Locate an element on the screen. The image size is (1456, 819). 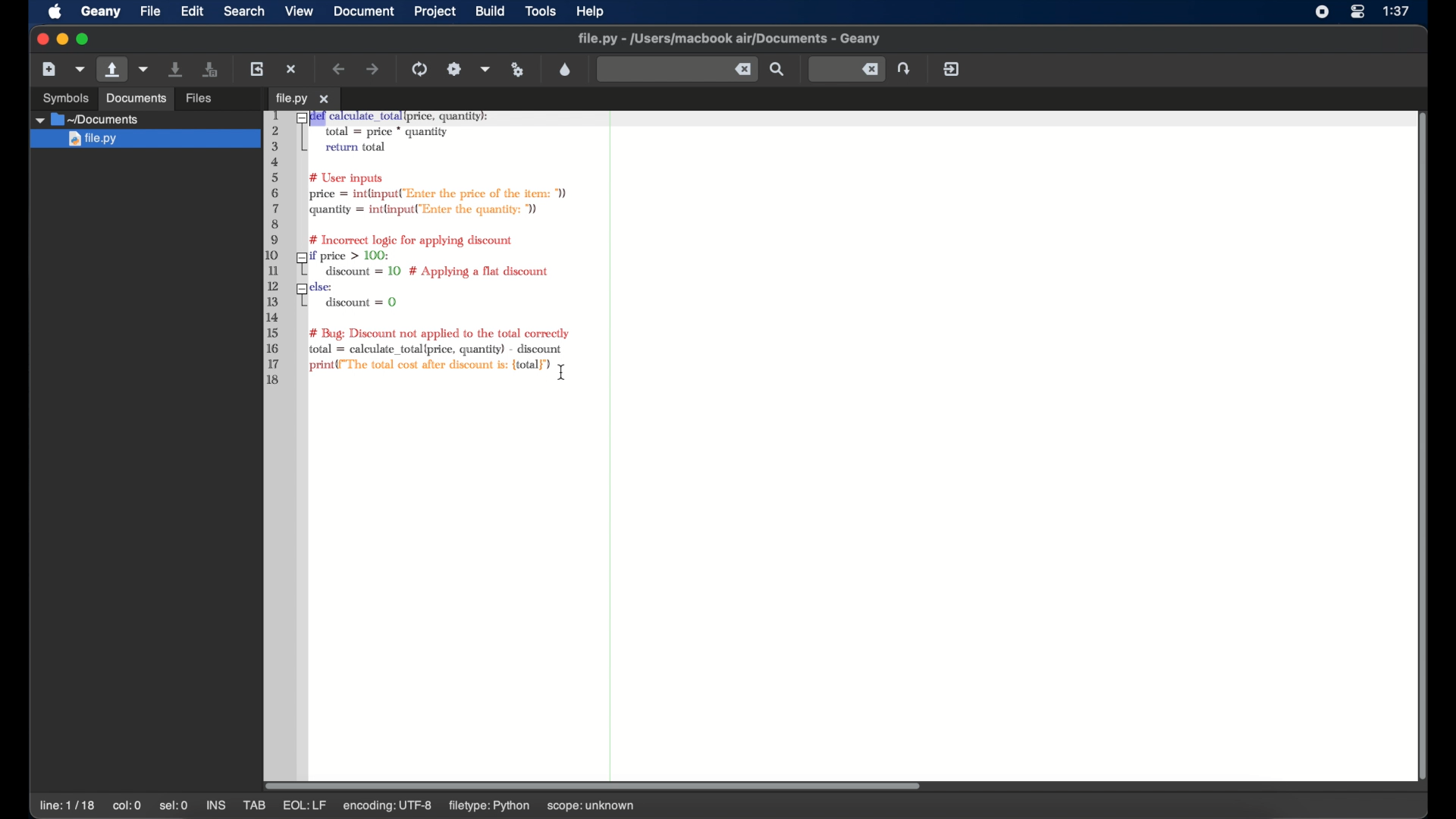
control center is located at coordinates (1357, 12).